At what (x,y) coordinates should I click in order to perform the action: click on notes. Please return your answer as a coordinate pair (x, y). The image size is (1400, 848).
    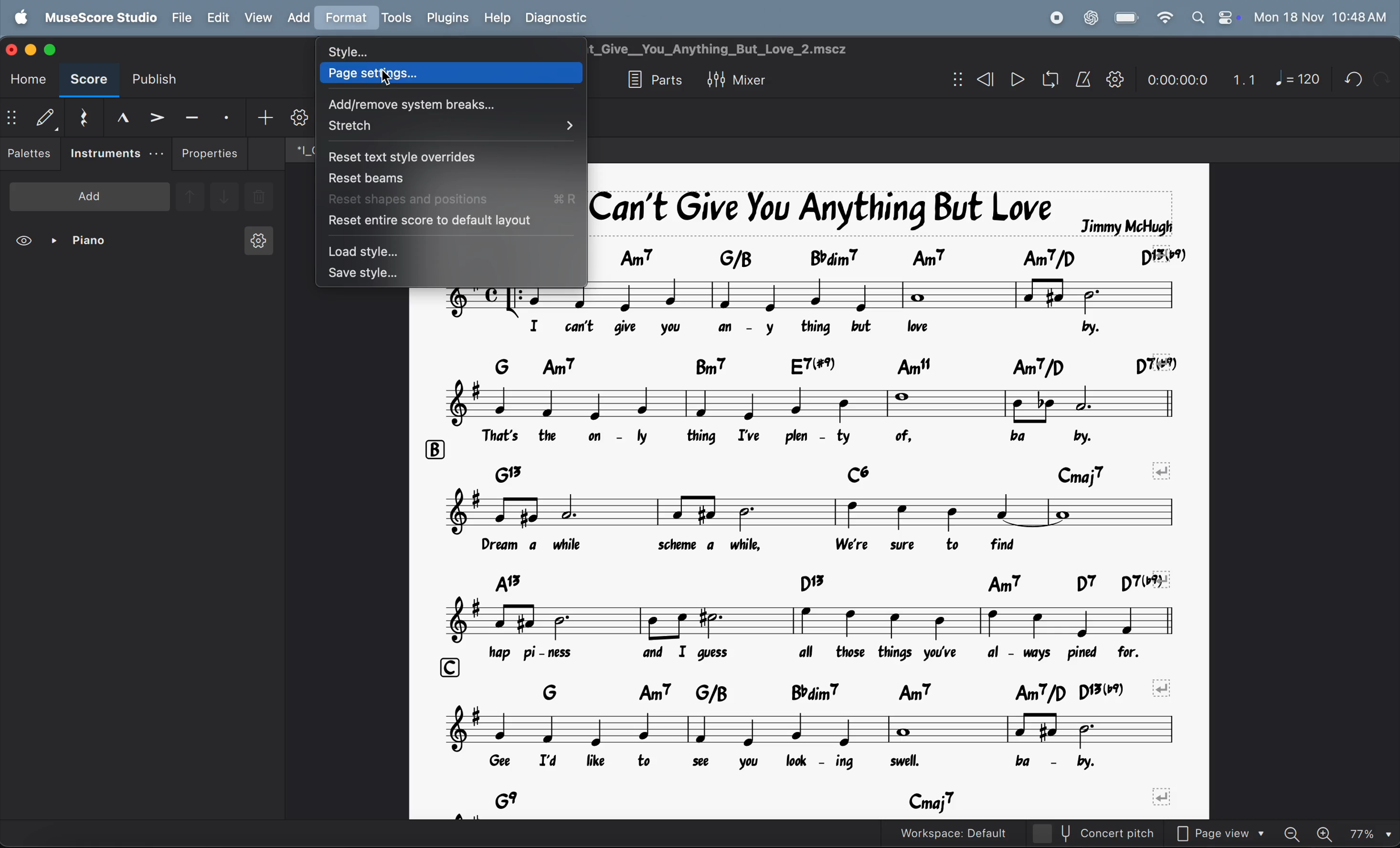
    Looking at the image, I should click on (815, 619).